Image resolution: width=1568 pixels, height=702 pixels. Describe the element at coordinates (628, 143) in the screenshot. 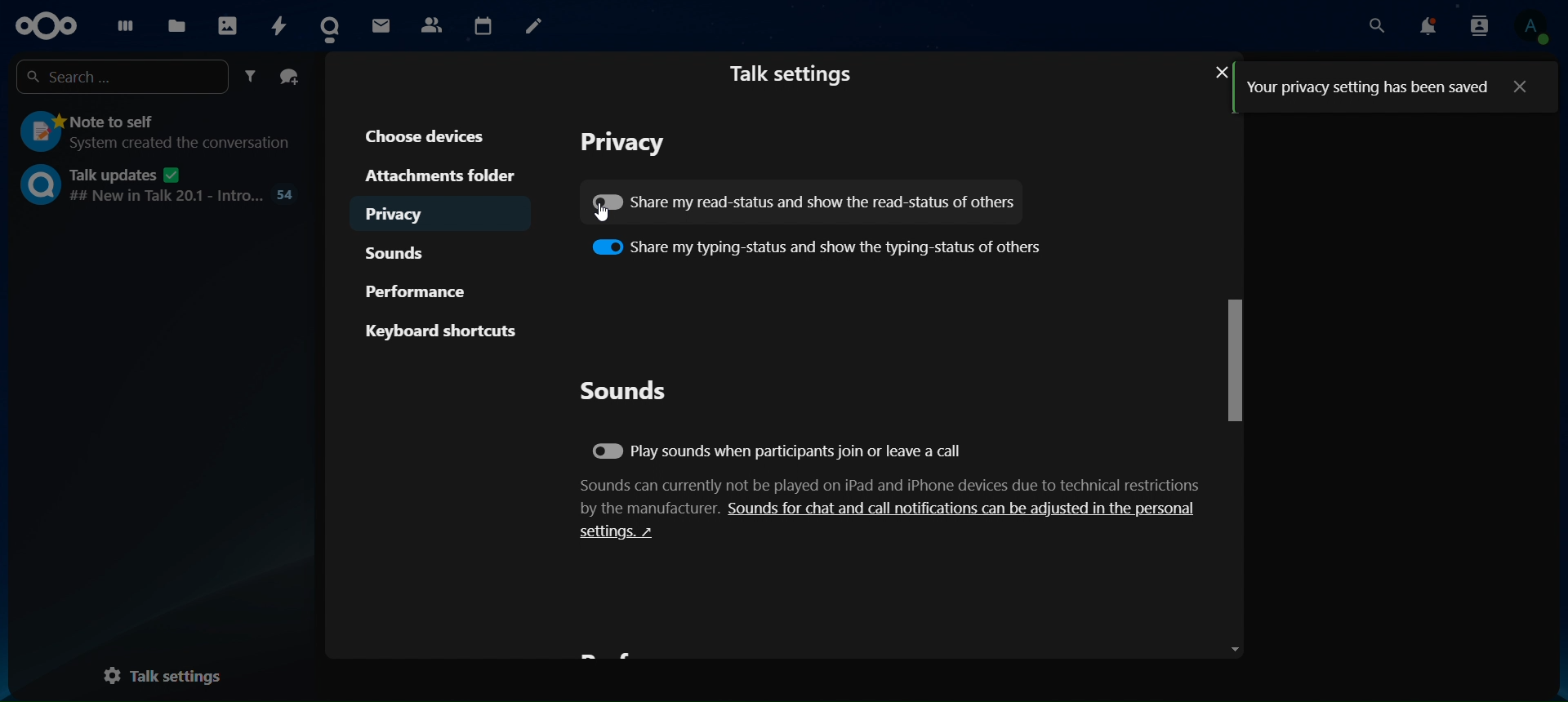

I see `privacy` at that location.